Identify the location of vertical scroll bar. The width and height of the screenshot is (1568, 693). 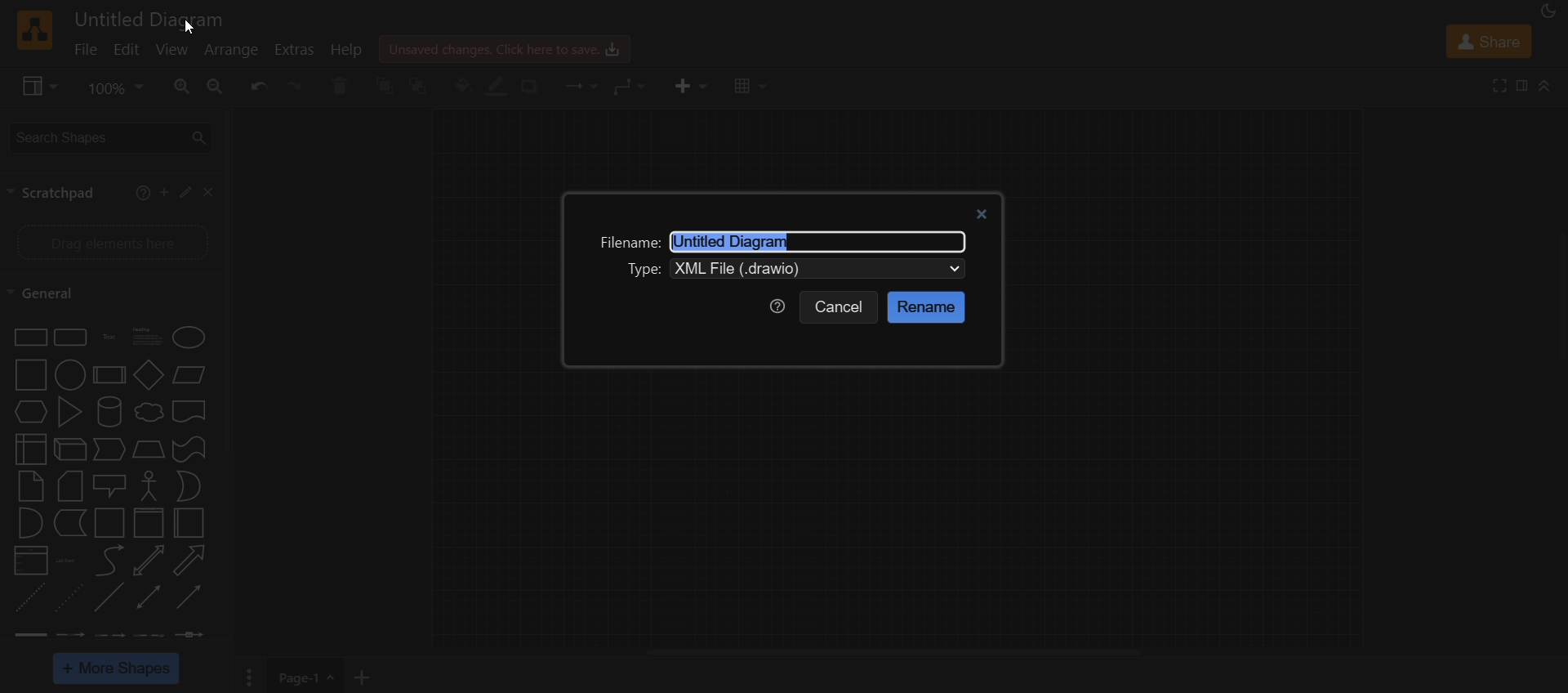
(229, 279).